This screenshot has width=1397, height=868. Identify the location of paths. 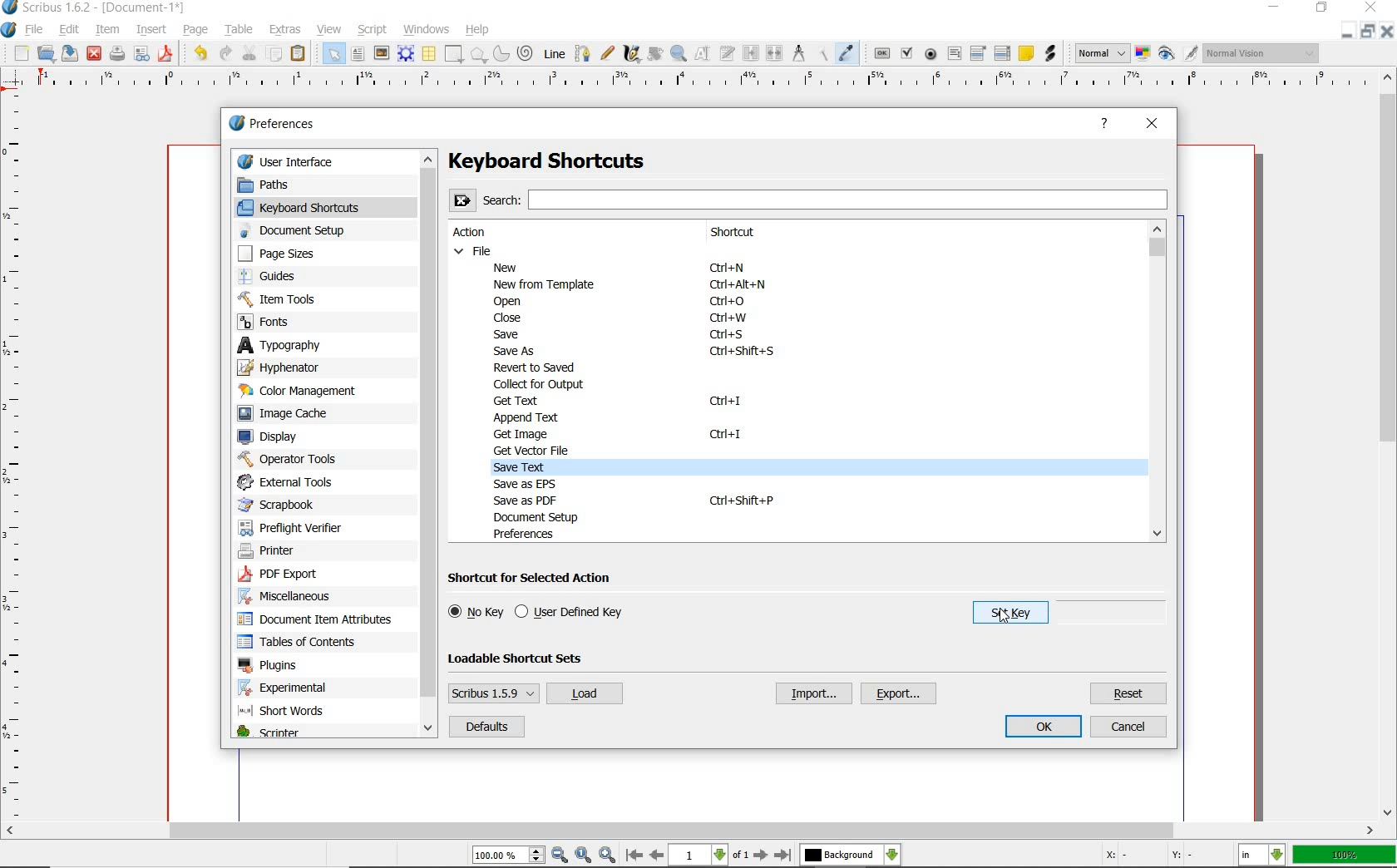
(283, 184).